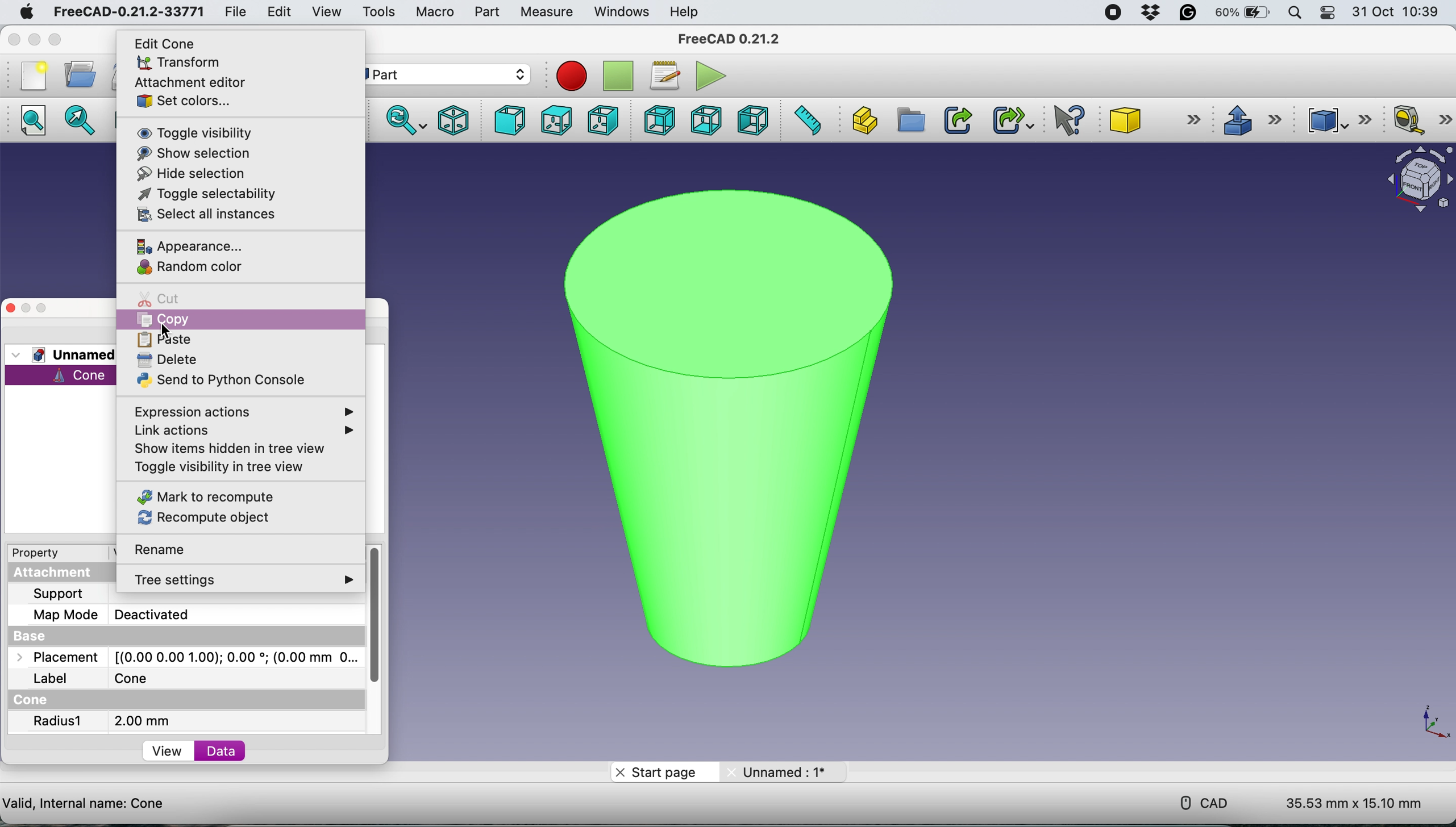 The image size is (1456, 827). Describe the element at coordinates (910, 121) in the screenshot. I see `create group` at that location.